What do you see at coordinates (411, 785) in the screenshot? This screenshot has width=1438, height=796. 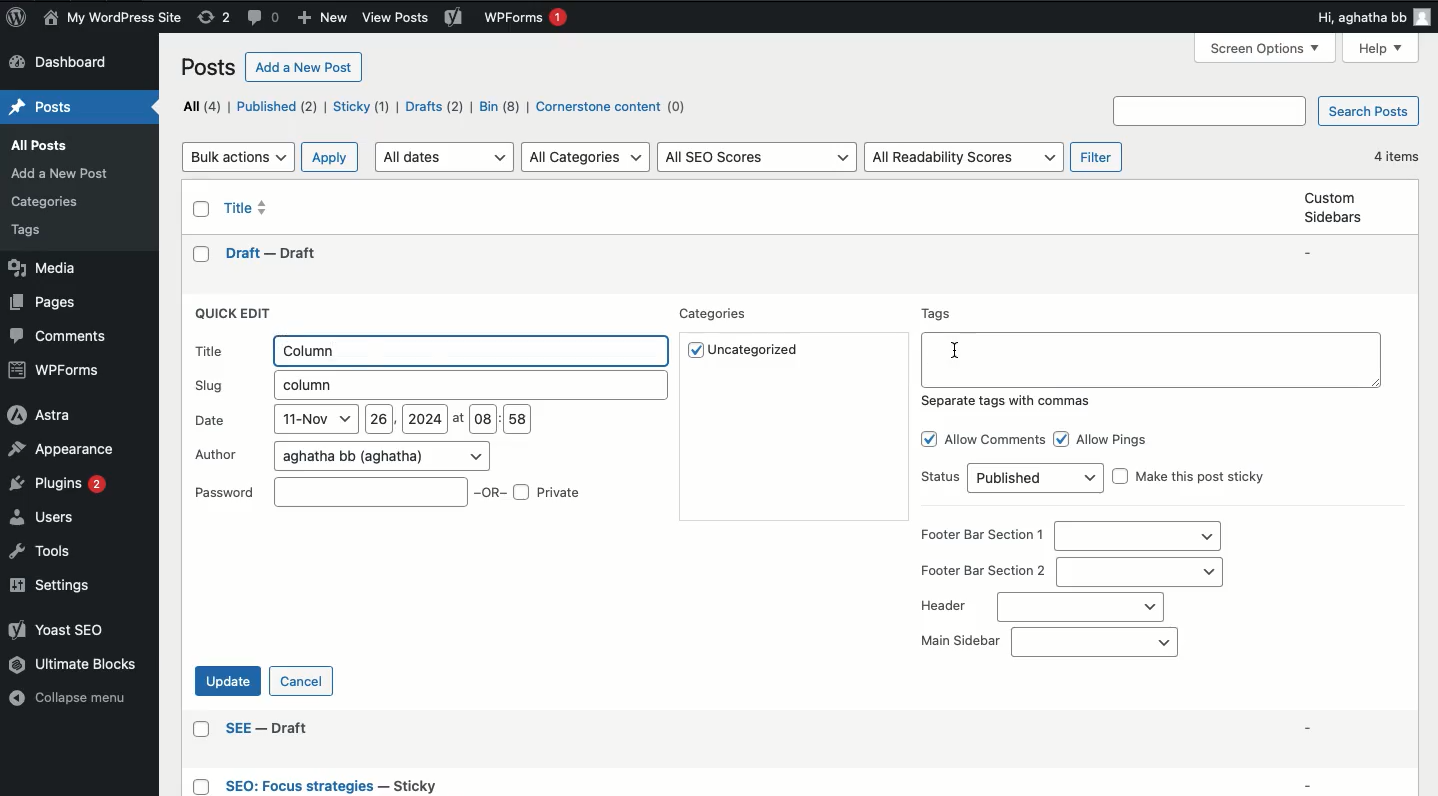 I see `` at bounding box center [411, 785].